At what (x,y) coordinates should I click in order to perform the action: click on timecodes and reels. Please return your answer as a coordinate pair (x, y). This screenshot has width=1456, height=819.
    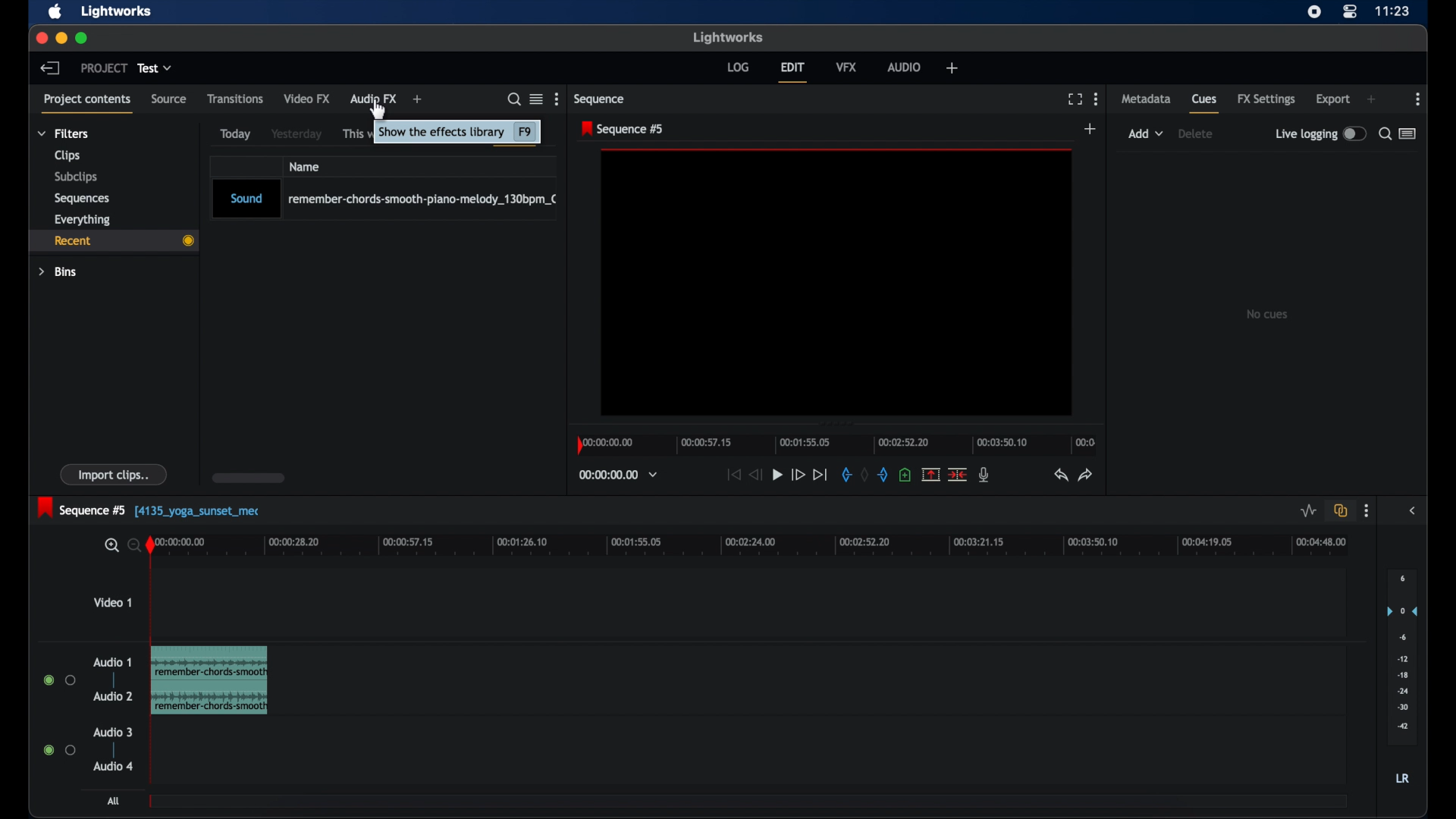
    Looking at the image, I should click on (618, 475).